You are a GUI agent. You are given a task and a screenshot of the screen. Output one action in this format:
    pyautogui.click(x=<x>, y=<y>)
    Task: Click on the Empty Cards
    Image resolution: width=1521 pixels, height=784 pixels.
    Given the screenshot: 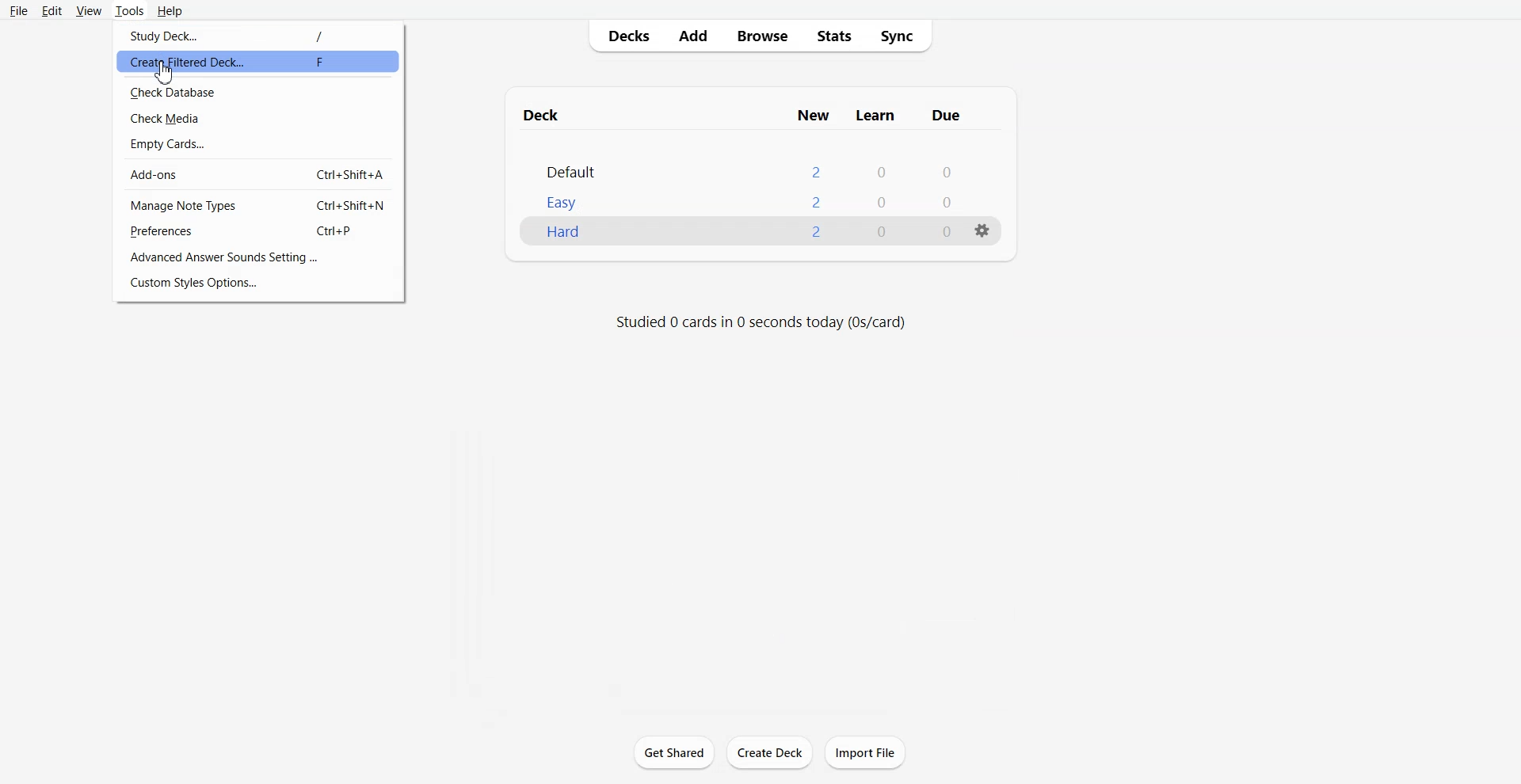 What is the action you would take?
    pyautogui.click(x=259, y=143)
    